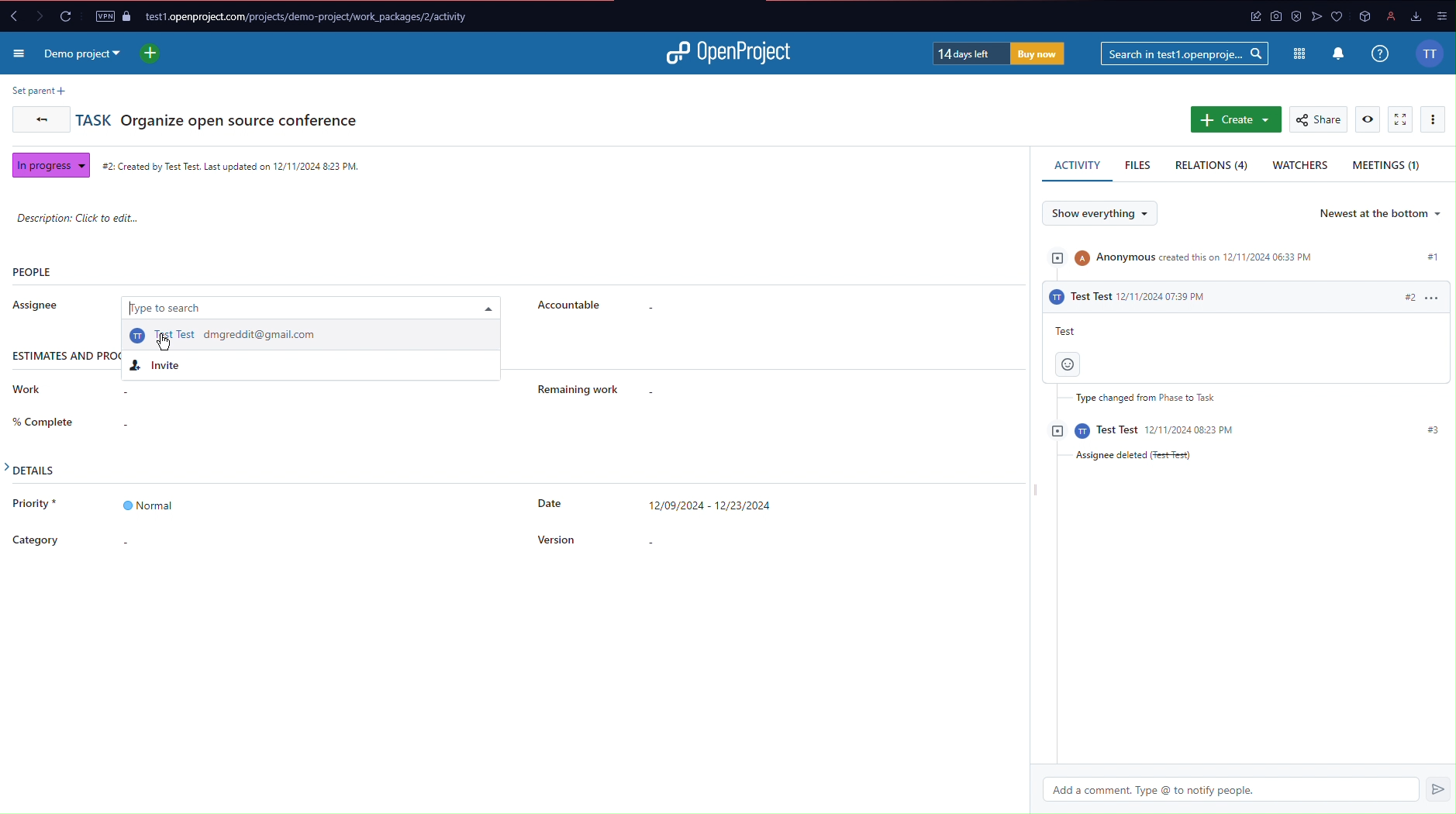 The height and width of the screenshot is (814, 1456). I want to click on Reload Page, so click(66, 16).